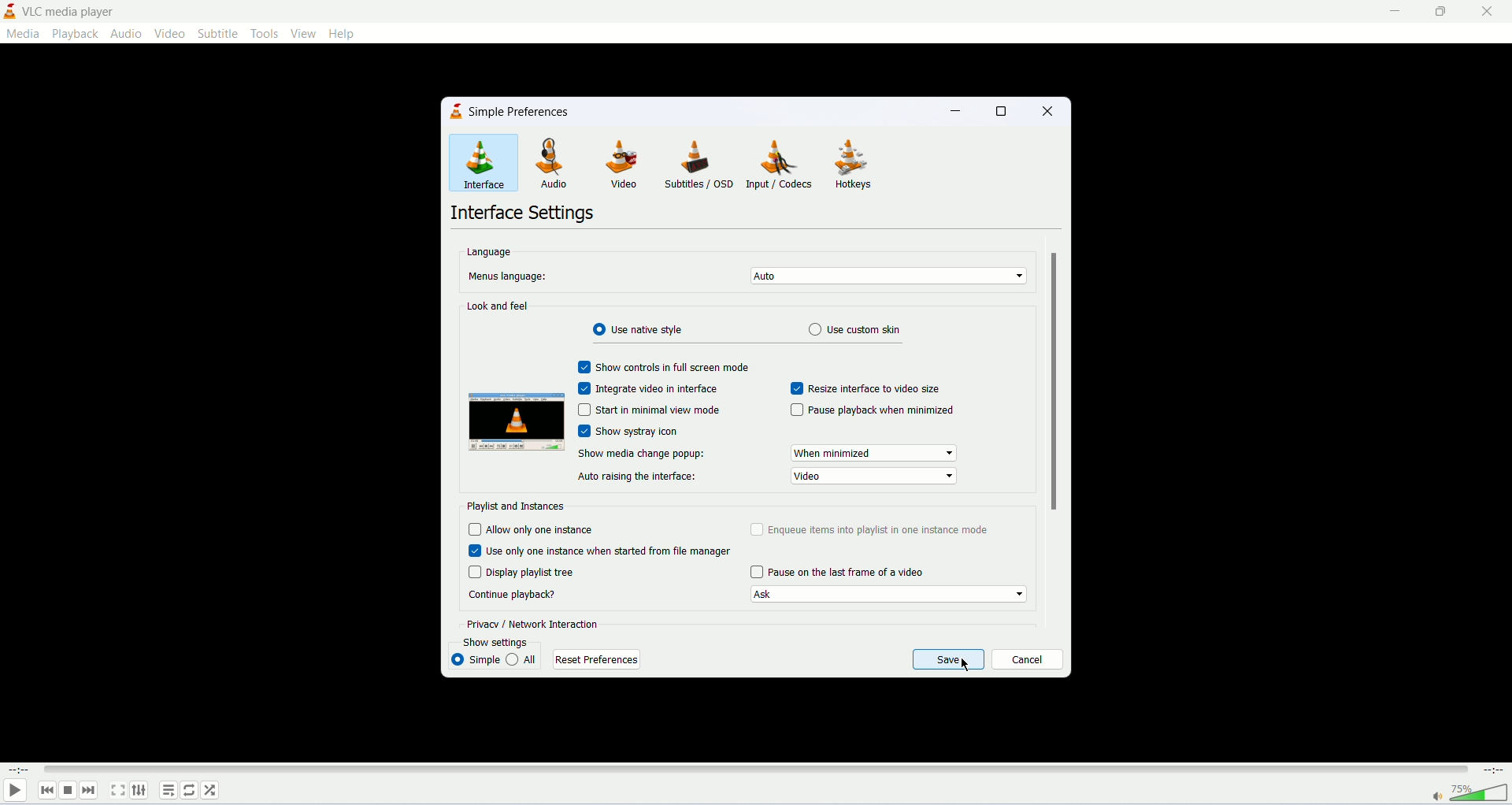  I want to click on use custom skin, so click(856, 329).